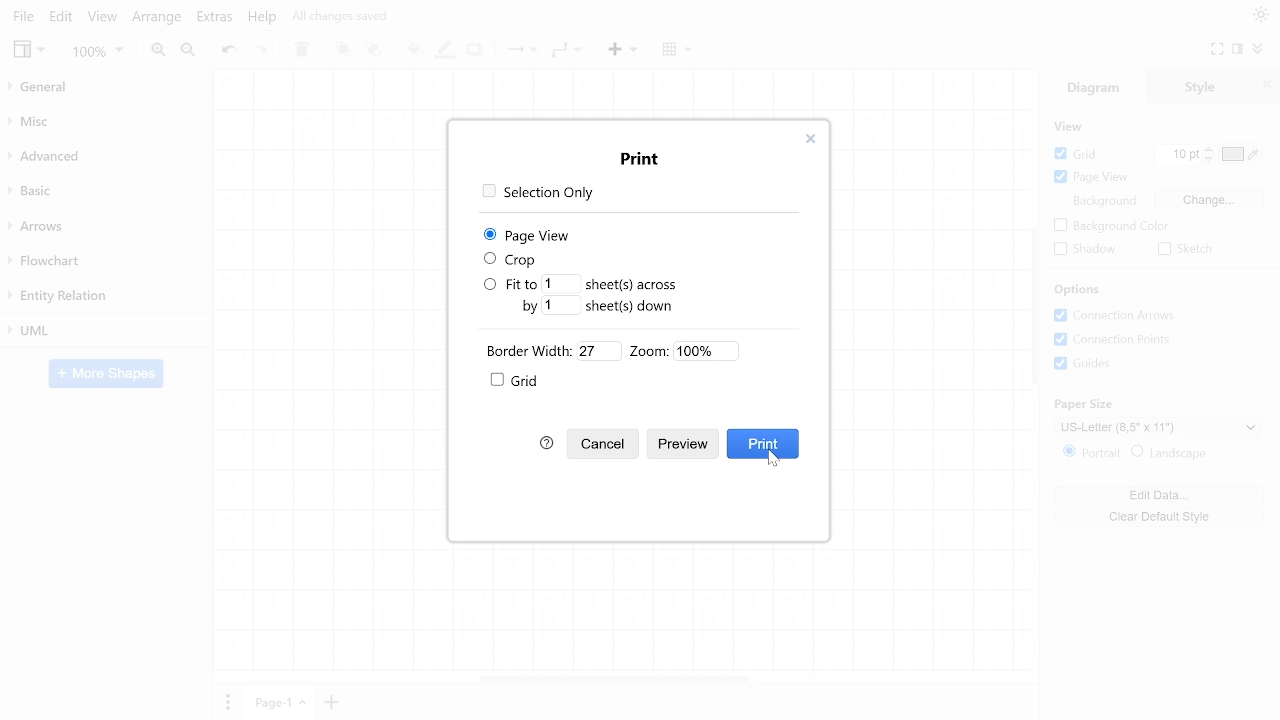  What do you see at coordinates (104, 296) in the screenshot?
I see `Entity relation` at bounding box center [104, 296].